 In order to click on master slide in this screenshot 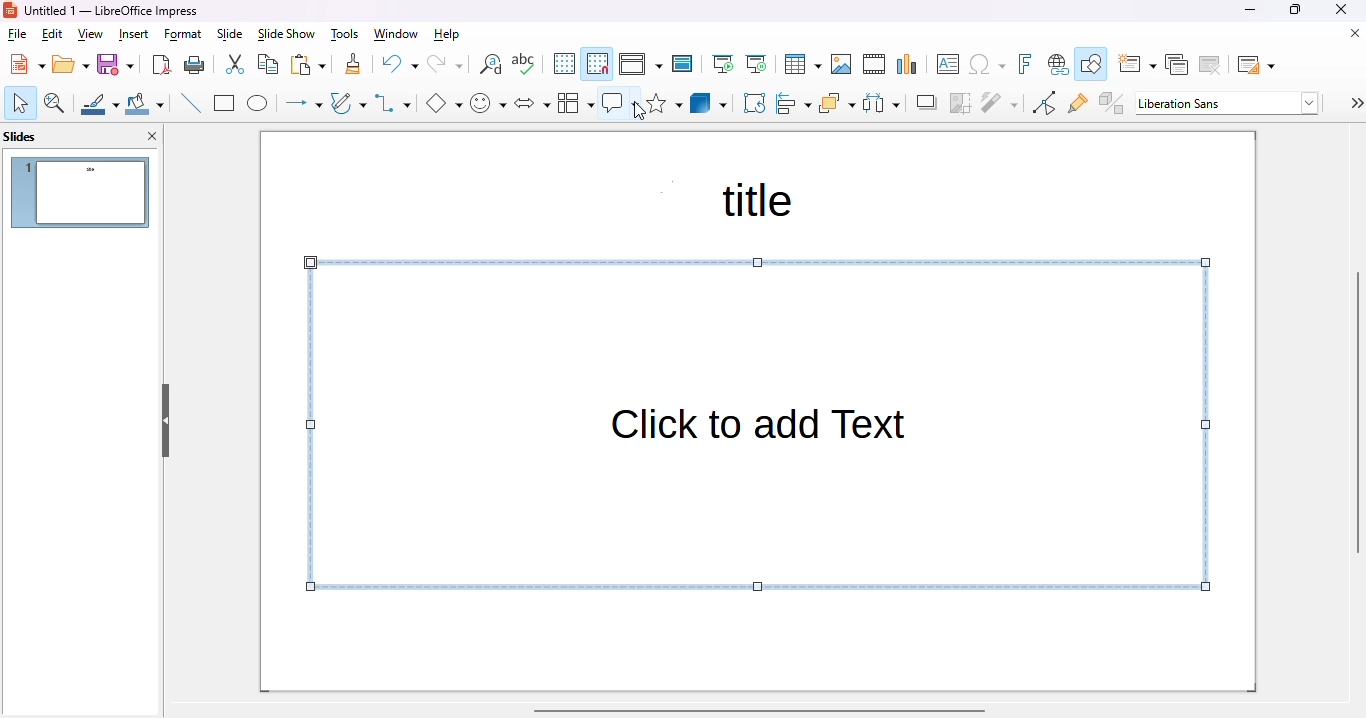, I will do `click(683, 64)`.